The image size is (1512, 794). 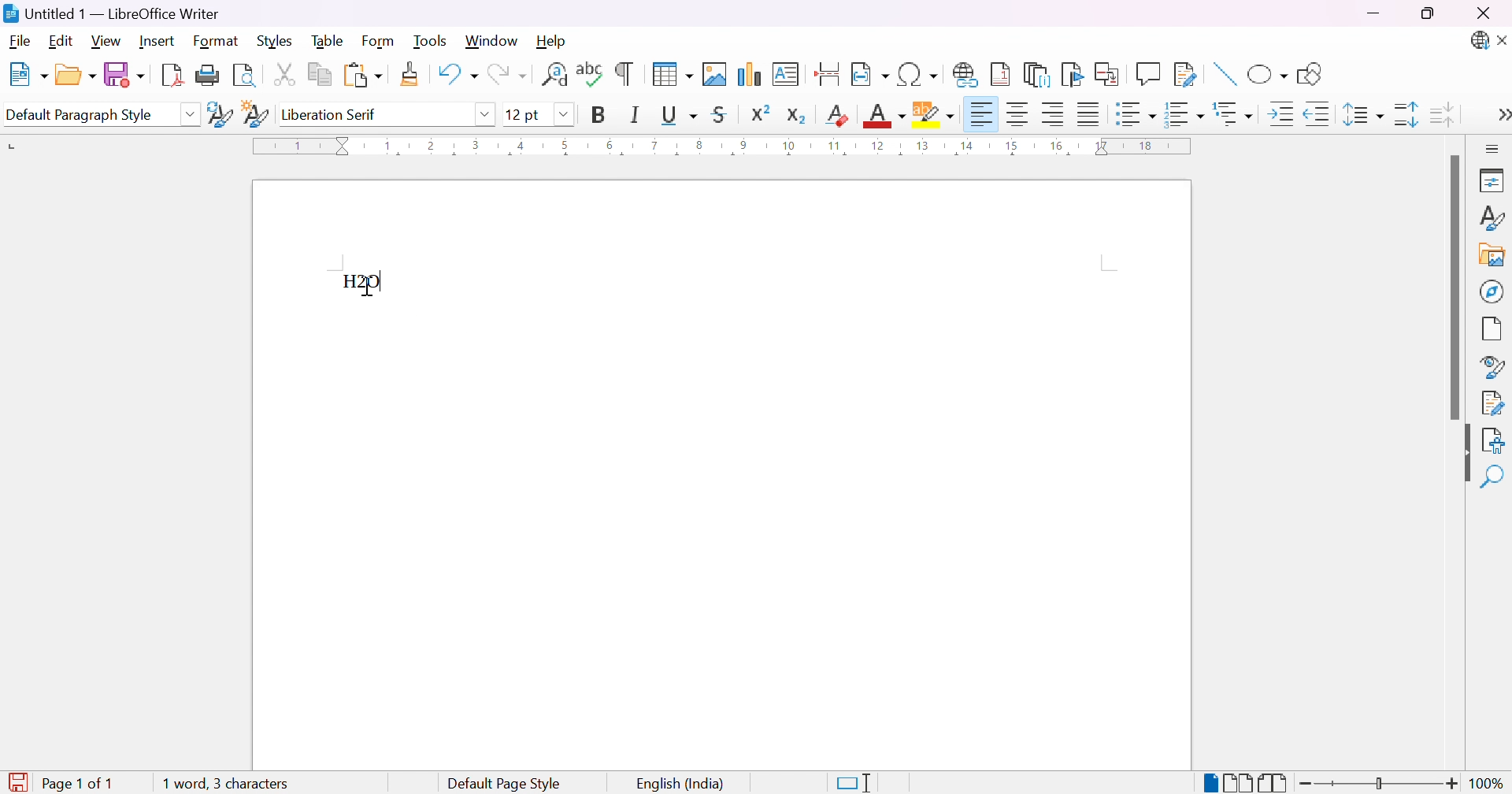 What do you see at coordinates (1440, 113) in the screenshot?
I see `Decrease paragraph spacing` at bounding box center [1440, 113].